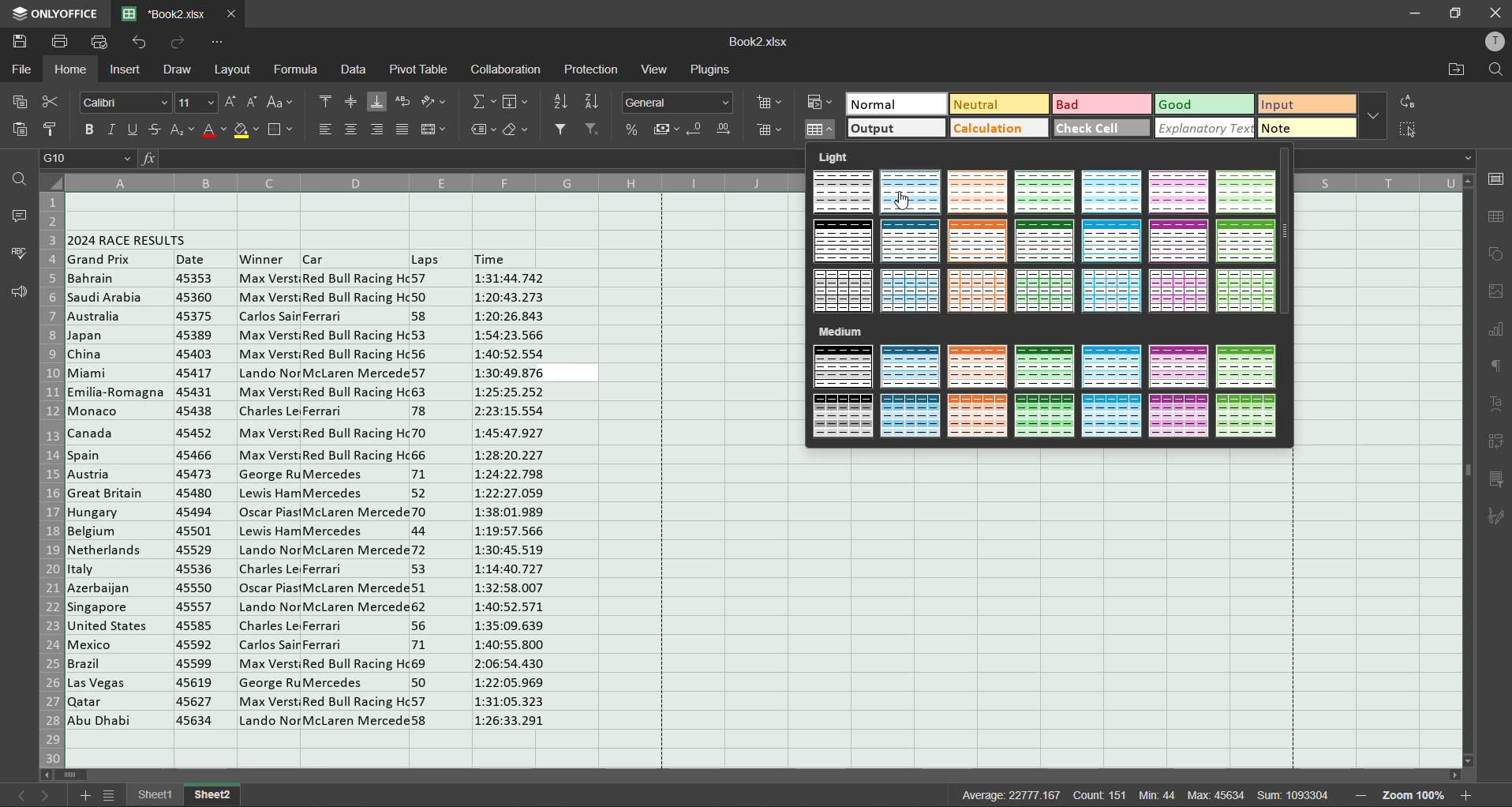 The width and height of the screenshot is (1512, 807). I want to click on table style medium 3, so click(980, 367).